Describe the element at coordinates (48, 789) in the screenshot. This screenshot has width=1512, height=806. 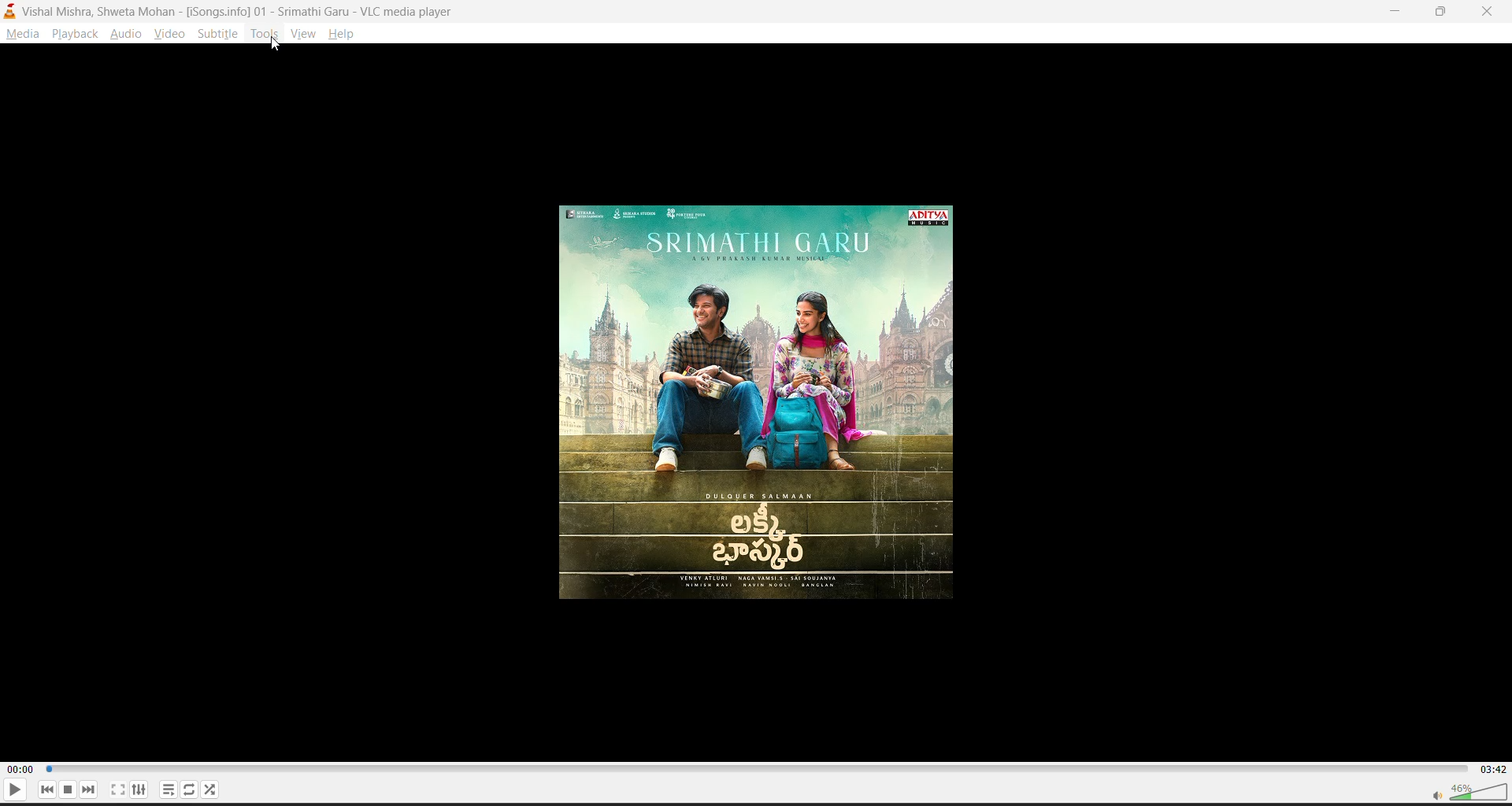
I see `previous` at that location.